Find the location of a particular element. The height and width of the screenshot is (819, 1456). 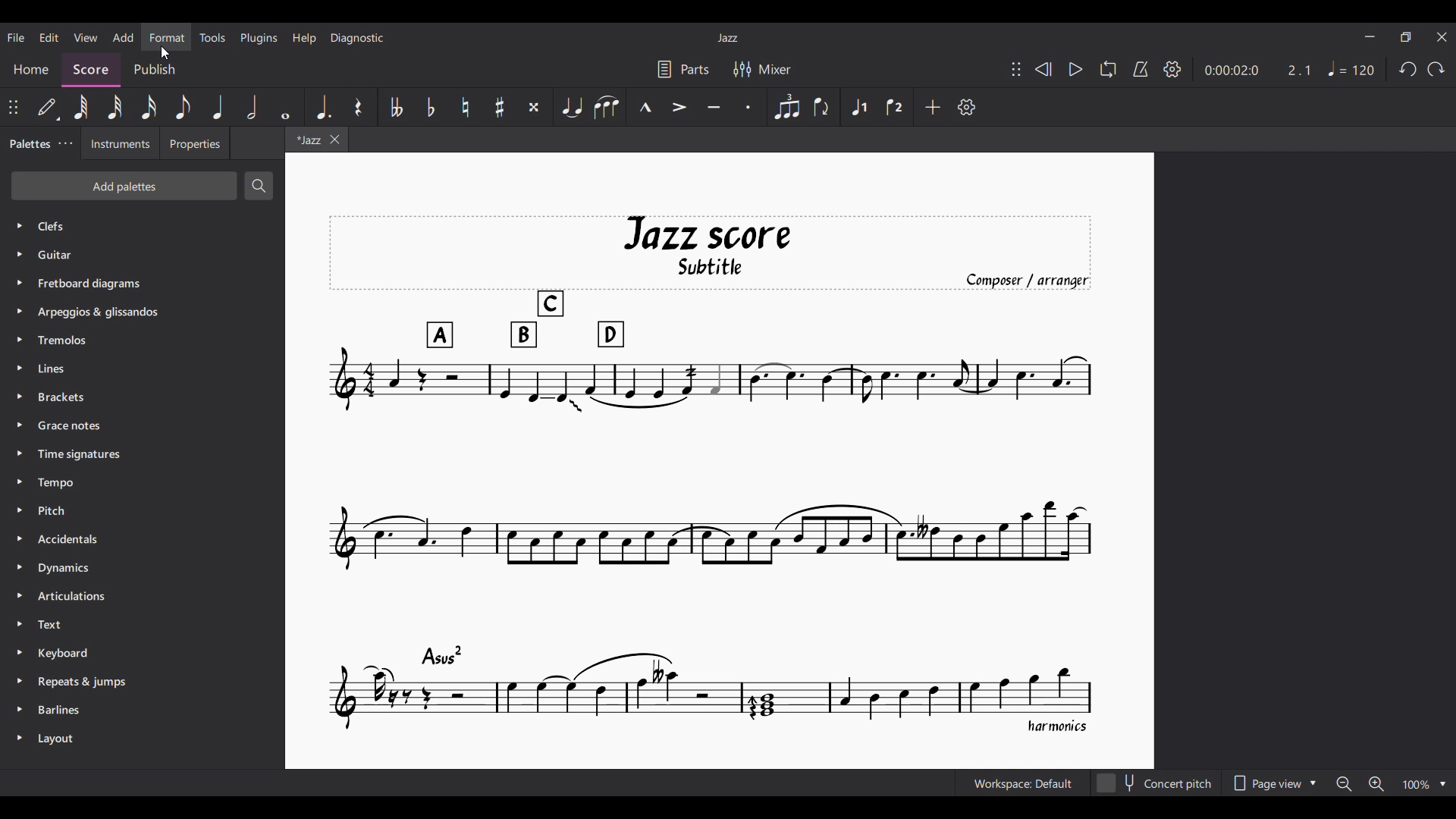

Augmentation dot is located at coordinates (323, 107).